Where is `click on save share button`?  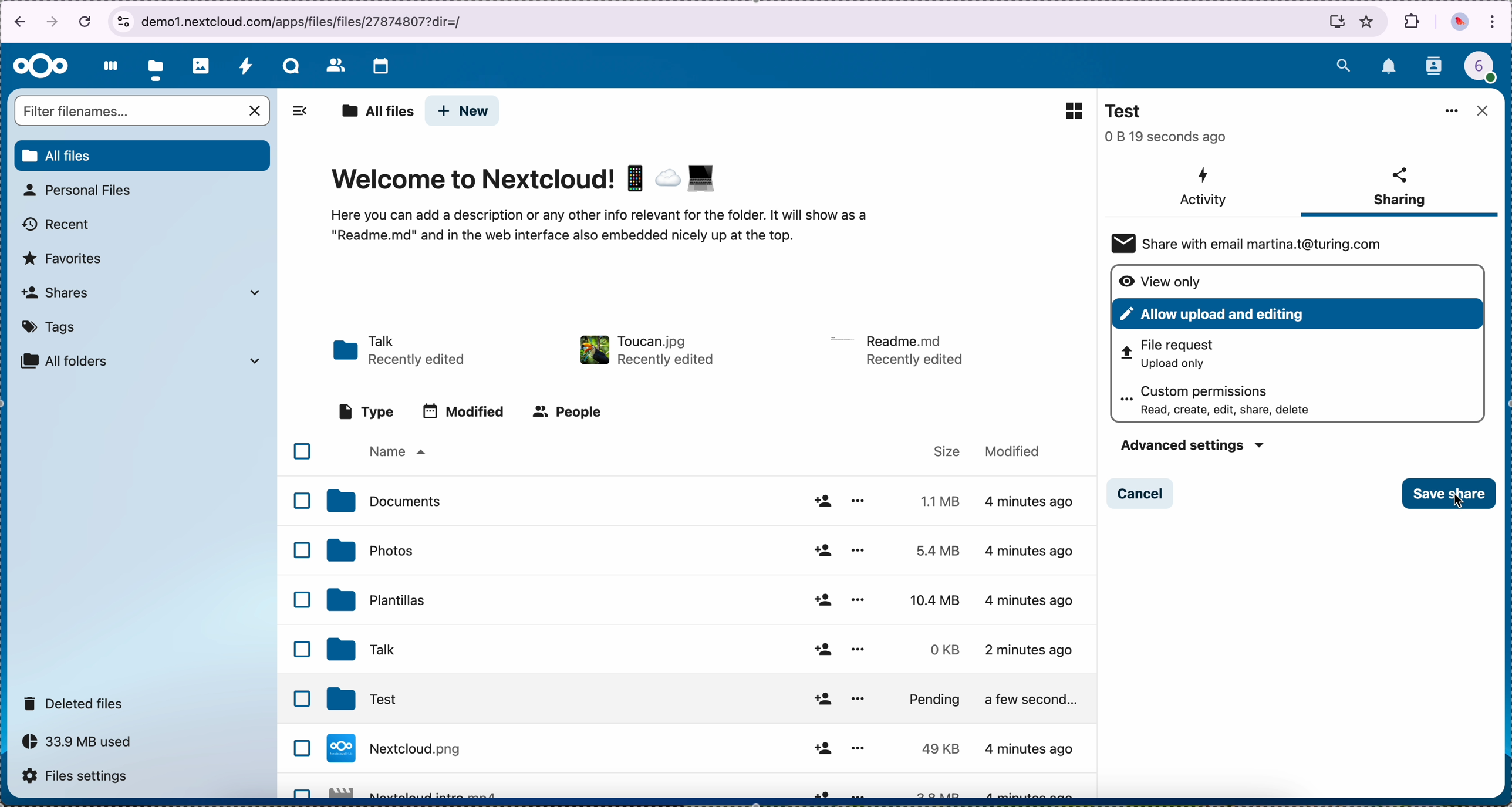 click on save share button is located at coordinates (1450, 495).